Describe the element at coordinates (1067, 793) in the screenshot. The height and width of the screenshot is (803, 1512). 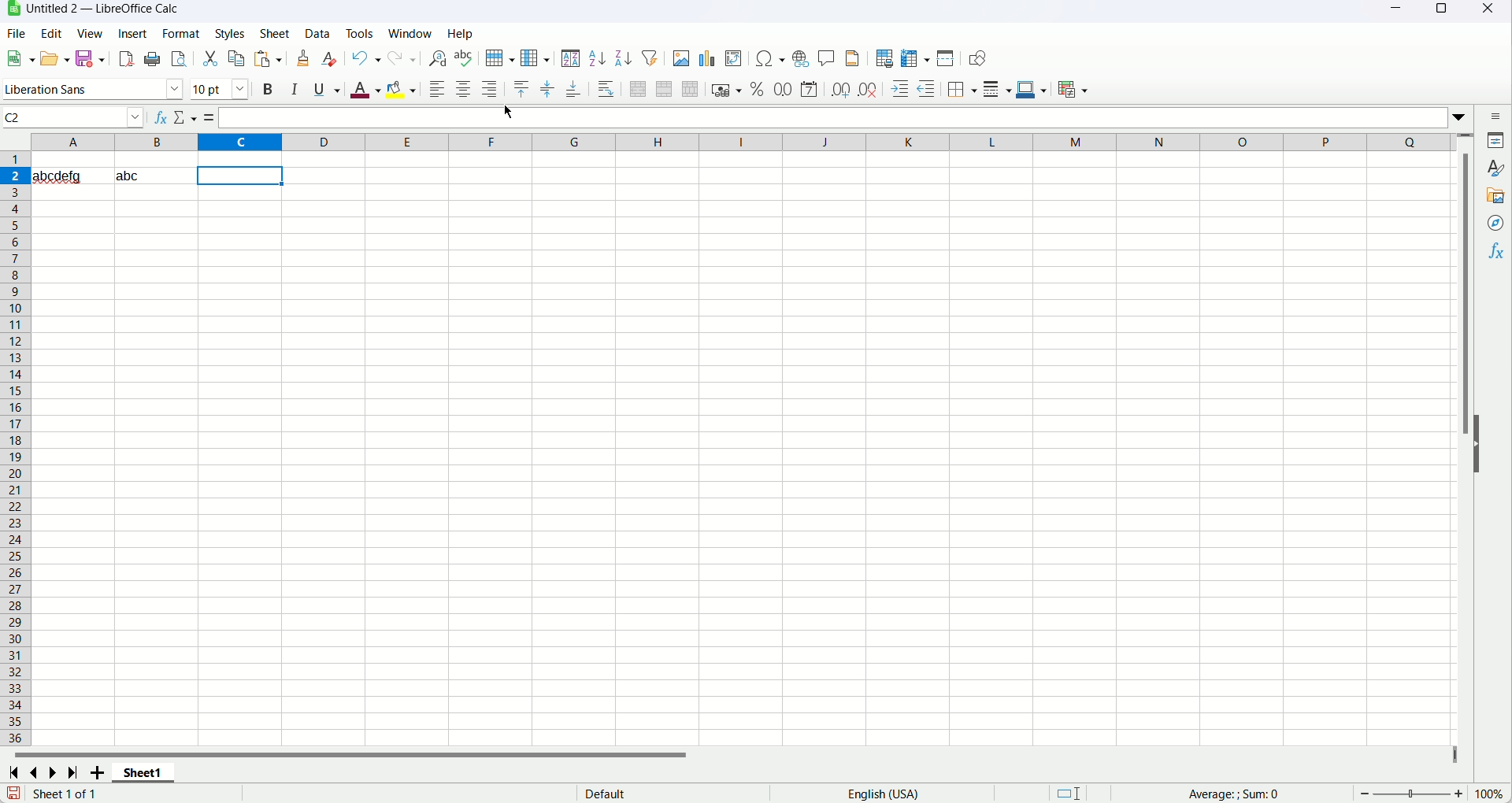
I see `standard selection` at that location.